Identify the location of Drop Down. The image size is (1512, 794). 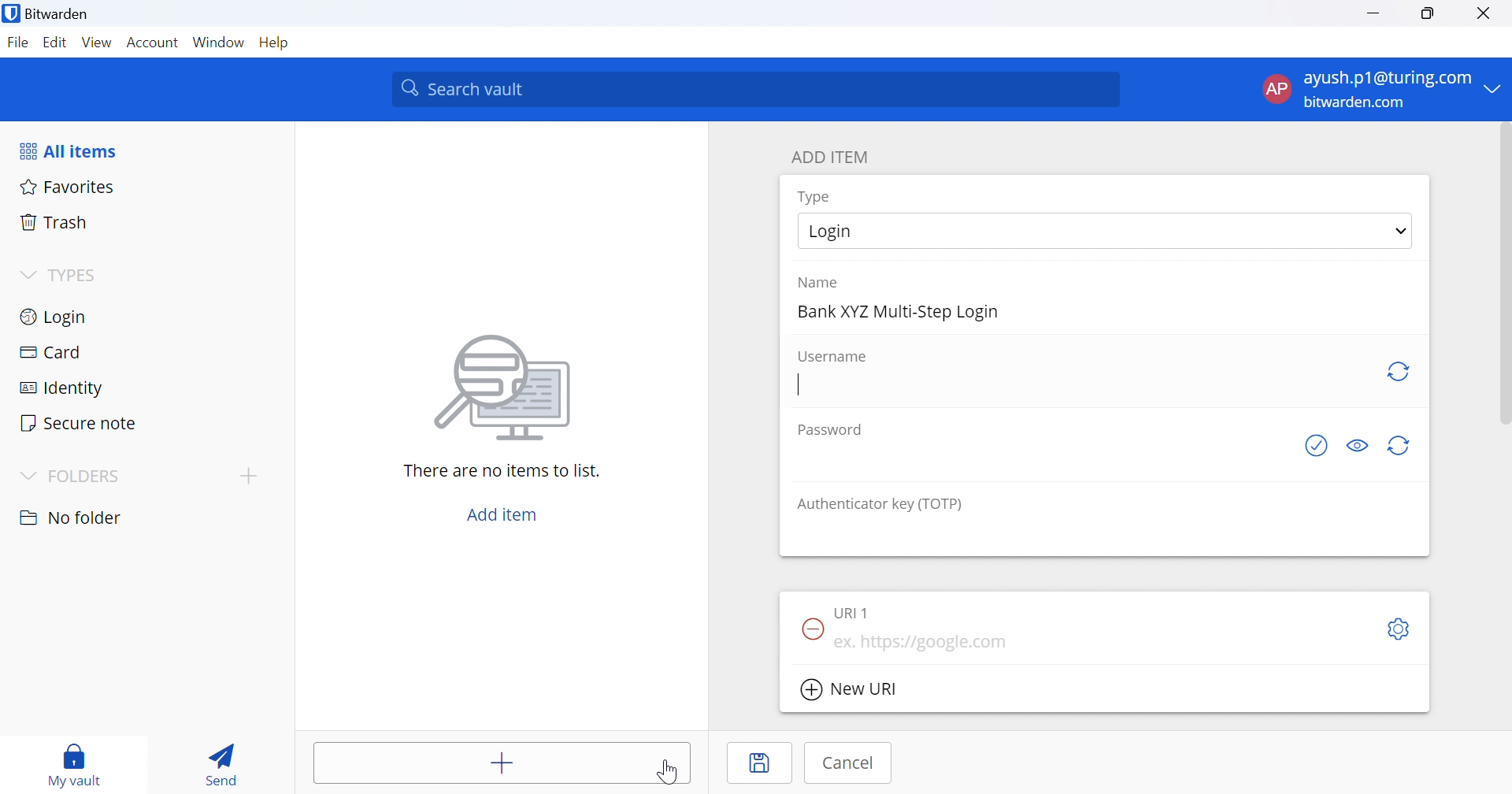
(1398, 232).